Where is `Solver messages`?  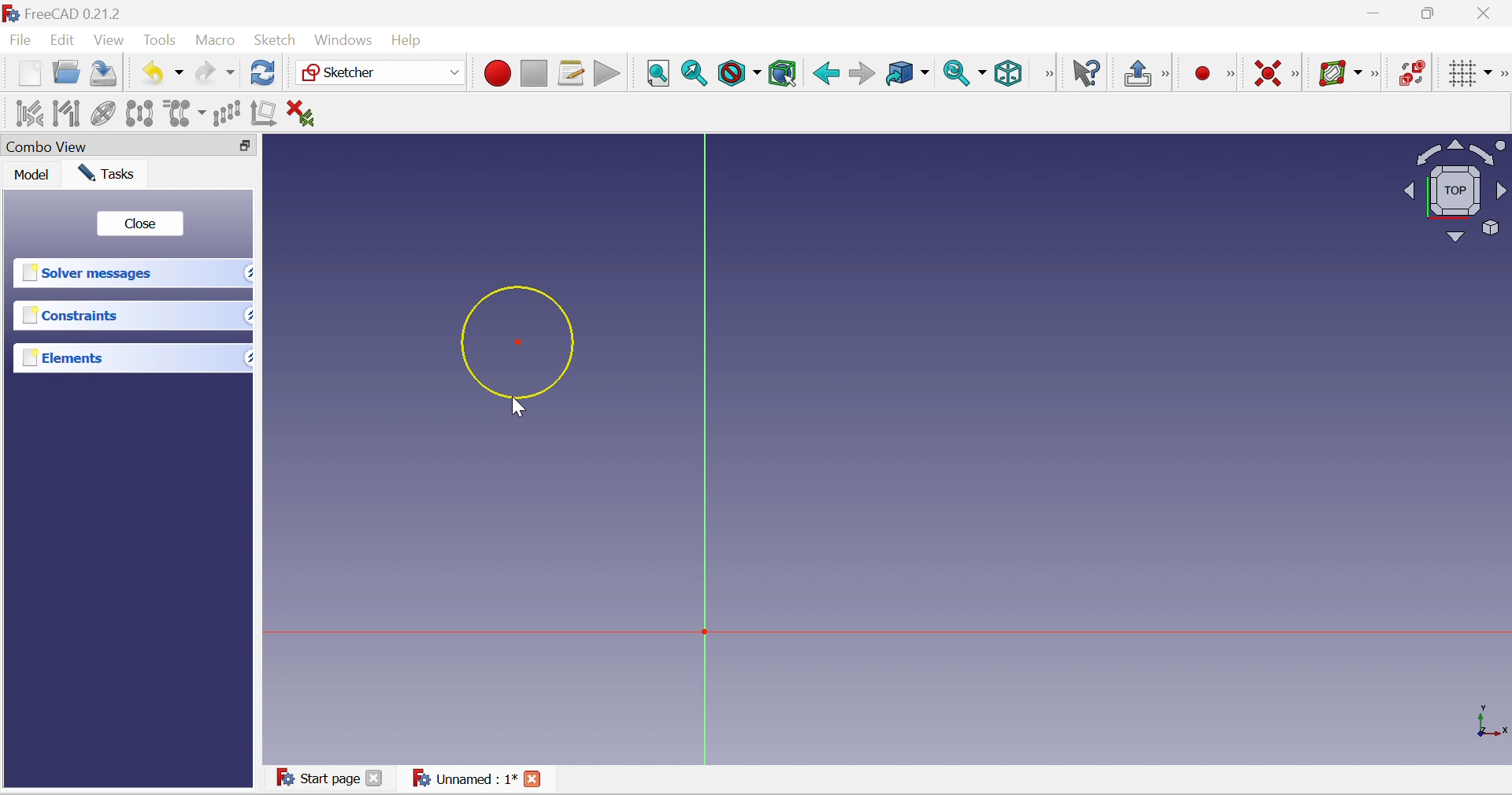
Solver messages is located at coordinates (86, 272).